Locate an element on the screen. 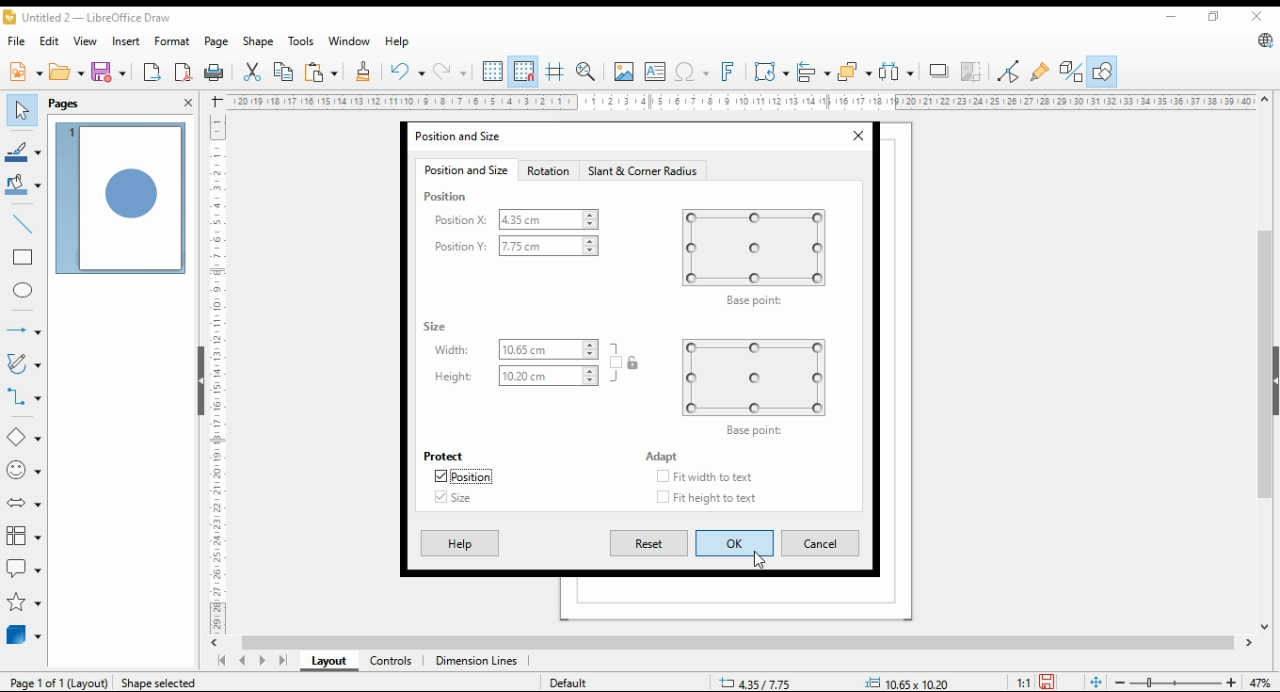 The width and height of the screenshot is (1280, 692). untitled 2 - libreoffice draw is located at coordinates (94, 19).